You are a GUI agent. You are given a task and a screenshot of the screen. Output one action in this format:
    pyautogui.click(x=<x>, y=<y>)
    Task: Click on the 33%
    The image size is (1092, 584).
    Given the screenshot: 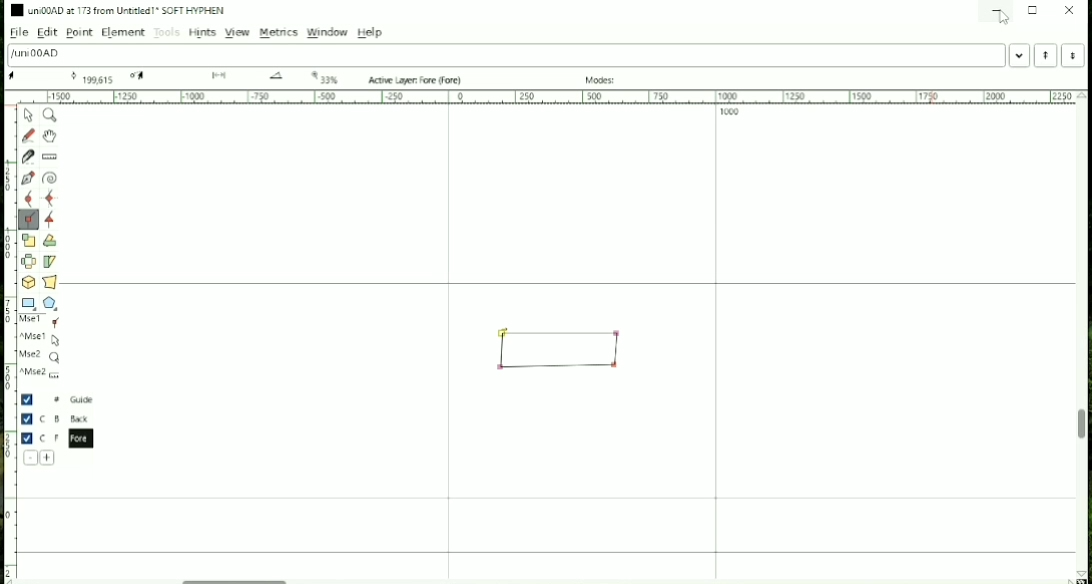 What is the action you would take?
    pyautogui.click(x=326, y=77)
    